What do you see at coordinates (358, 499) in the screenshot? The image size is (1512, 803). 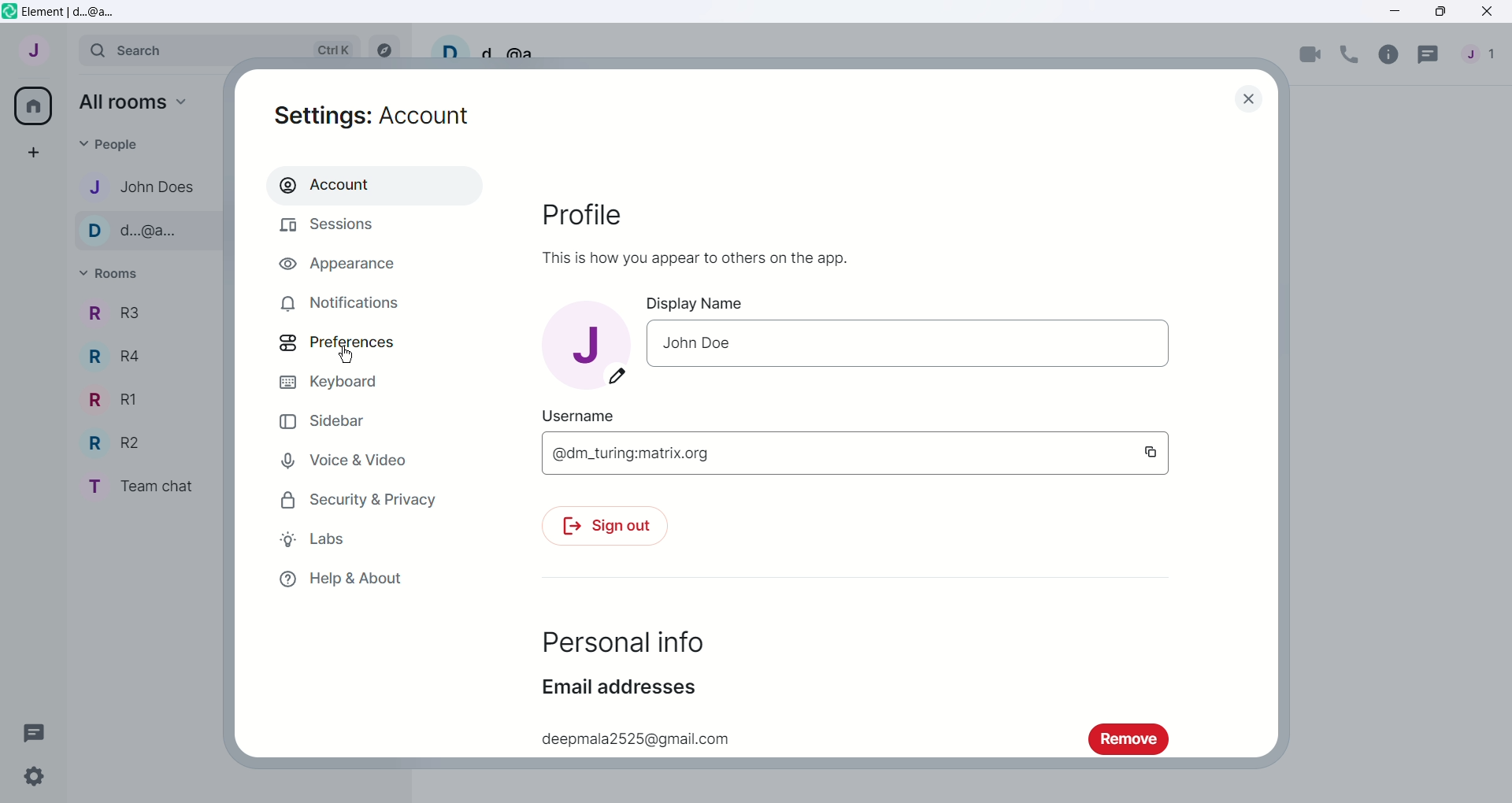 I see `Security and Privacy` at bounding box center [358, 499].